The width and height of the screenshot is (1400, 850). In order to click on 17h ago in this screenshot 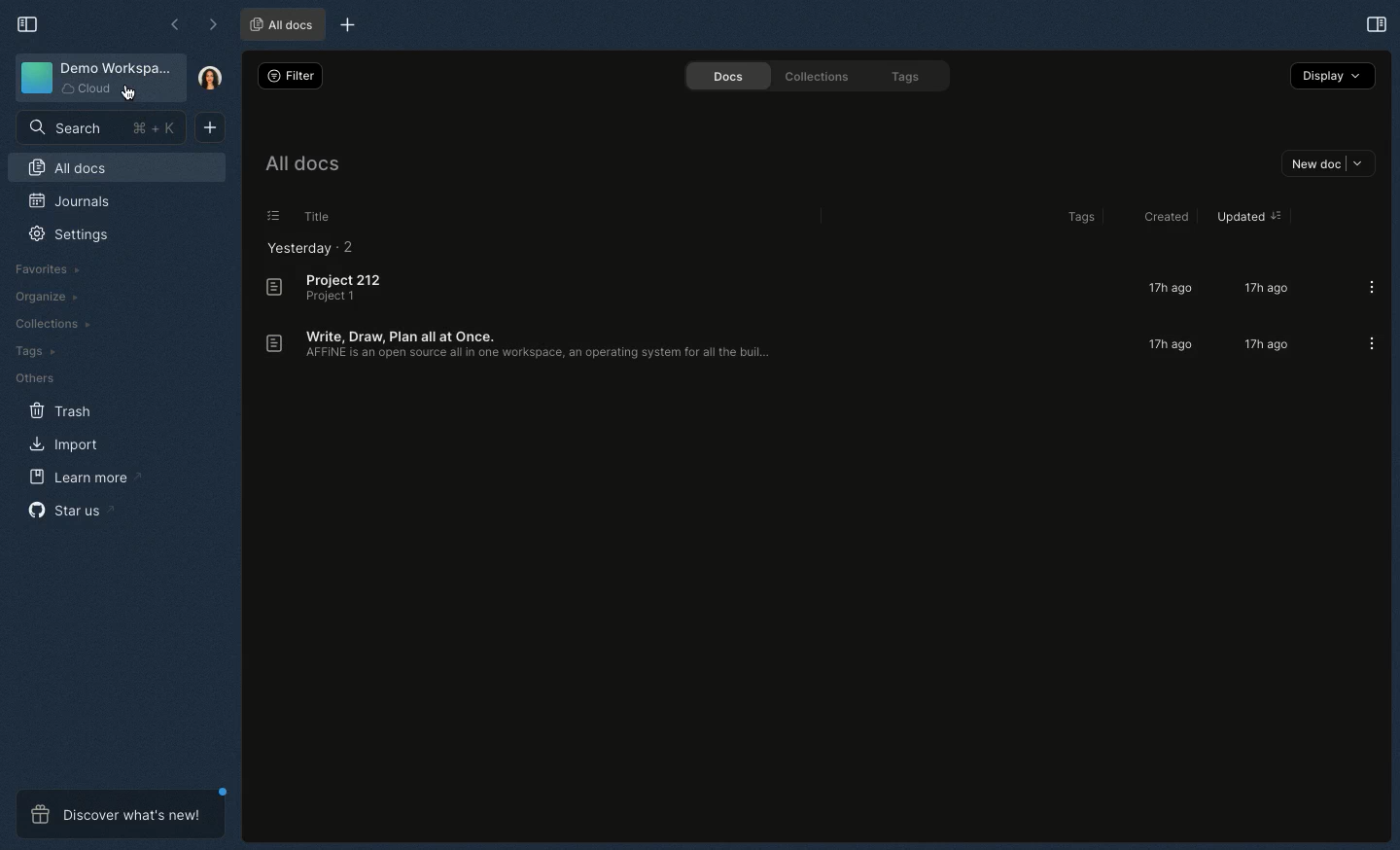, I will do `click(1171, 344)`.